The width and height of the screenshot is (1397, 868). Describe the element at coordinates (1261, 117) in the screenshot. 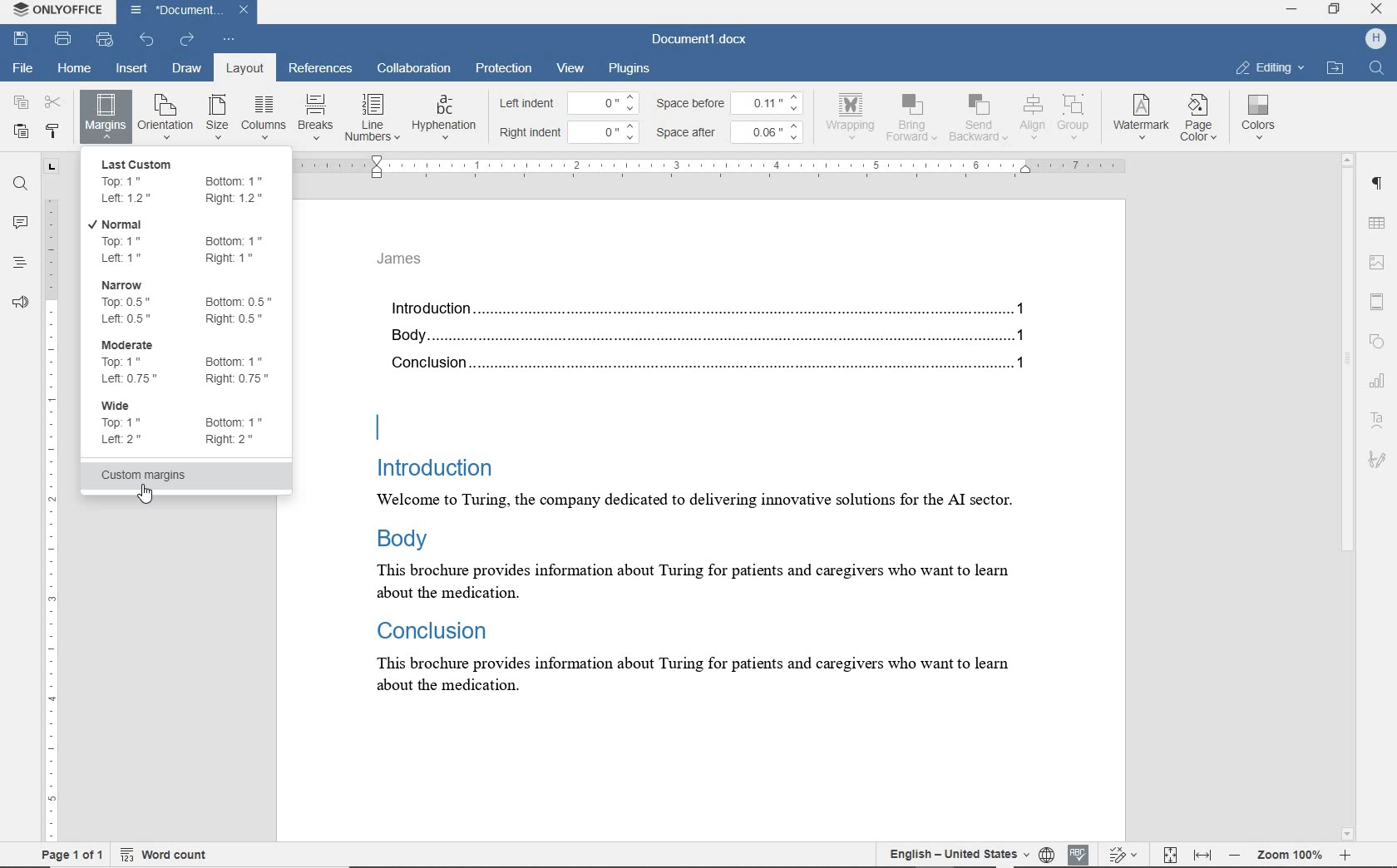

I see `colors` at that location.